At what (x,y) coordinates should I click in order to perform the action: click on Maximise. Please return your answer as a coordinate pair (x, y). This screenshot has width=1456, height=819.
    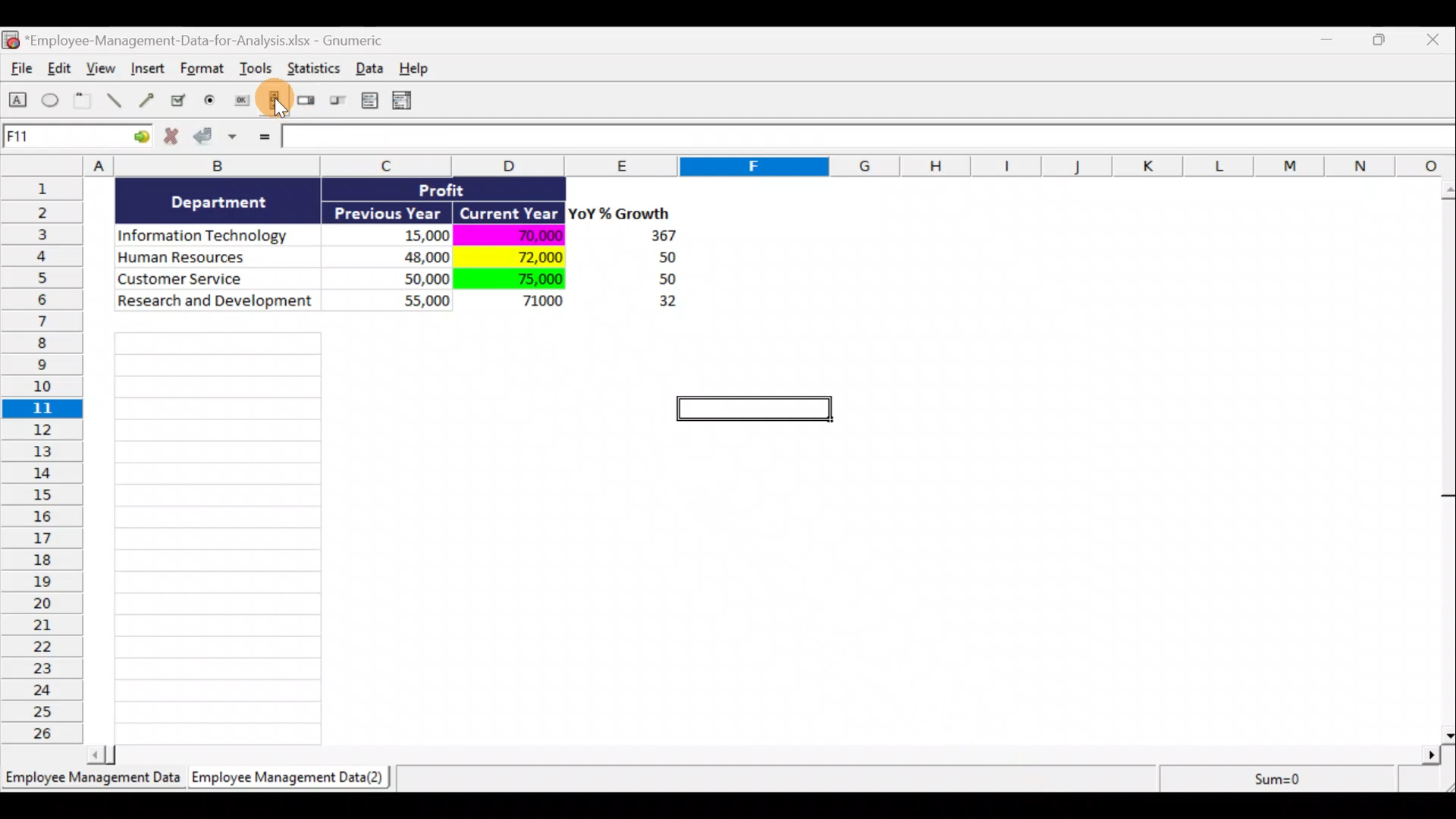
    Looking at the image, I should click on (1387, 38).